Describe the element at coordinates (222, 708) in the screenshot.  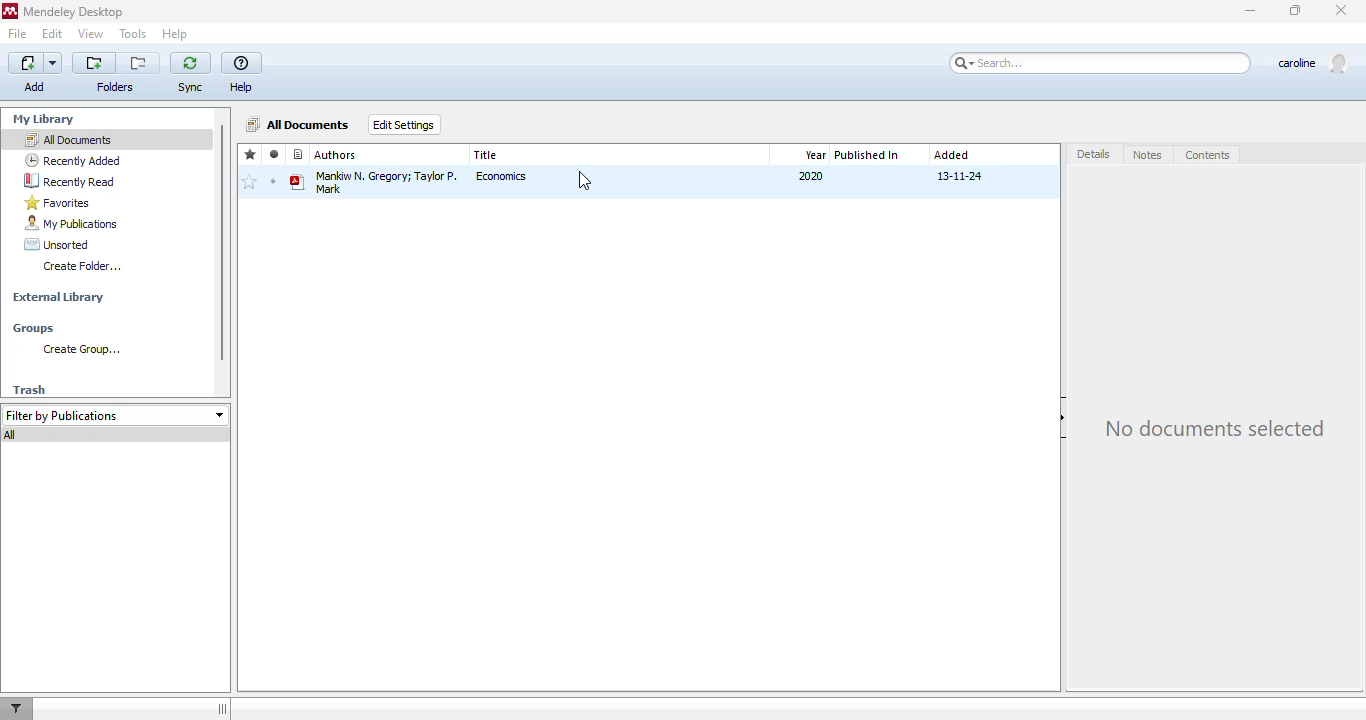
I see `toggle hide/show` at that location.